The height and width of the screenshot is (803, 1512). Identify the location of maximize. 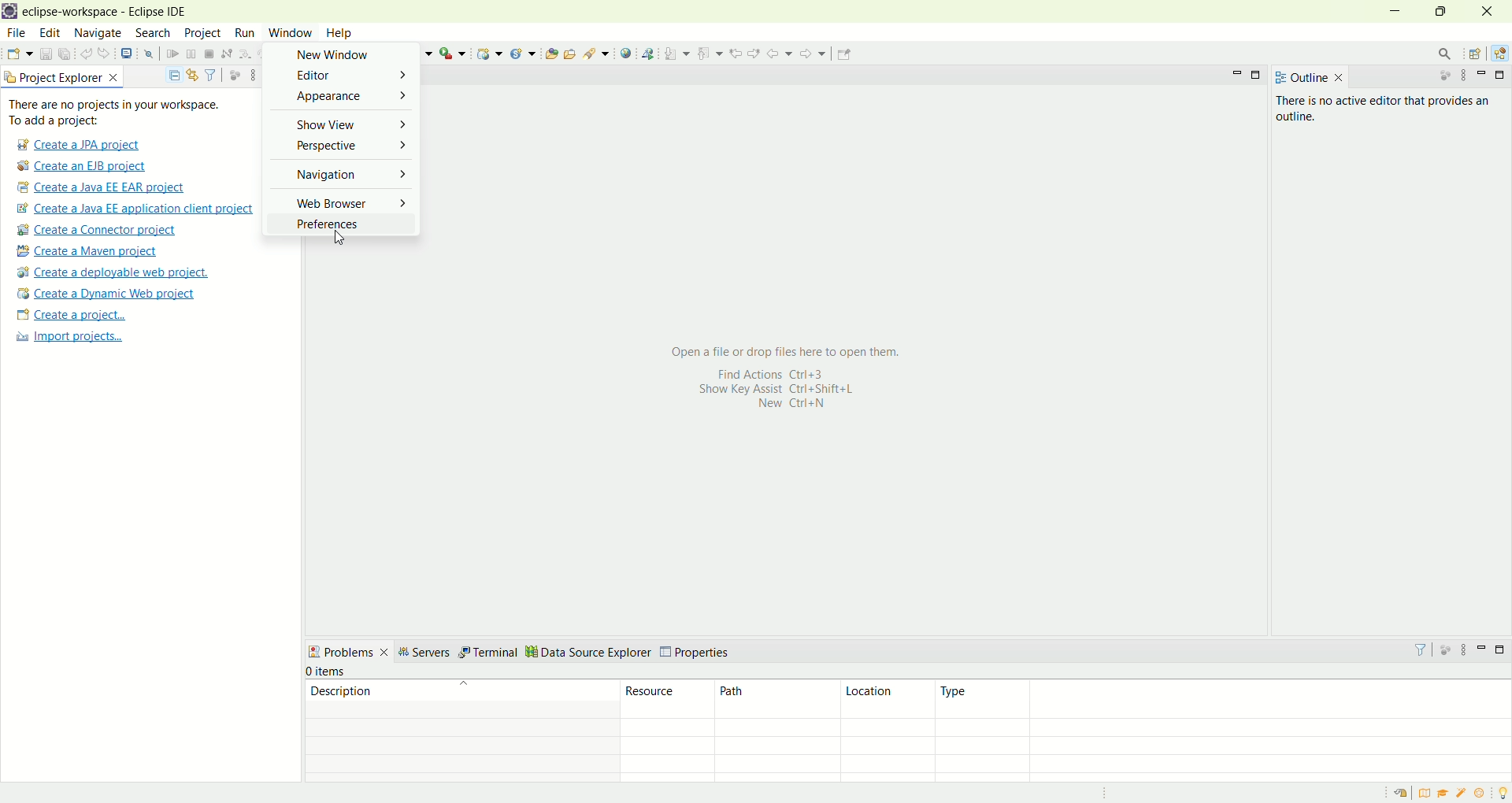
(1258, 76).